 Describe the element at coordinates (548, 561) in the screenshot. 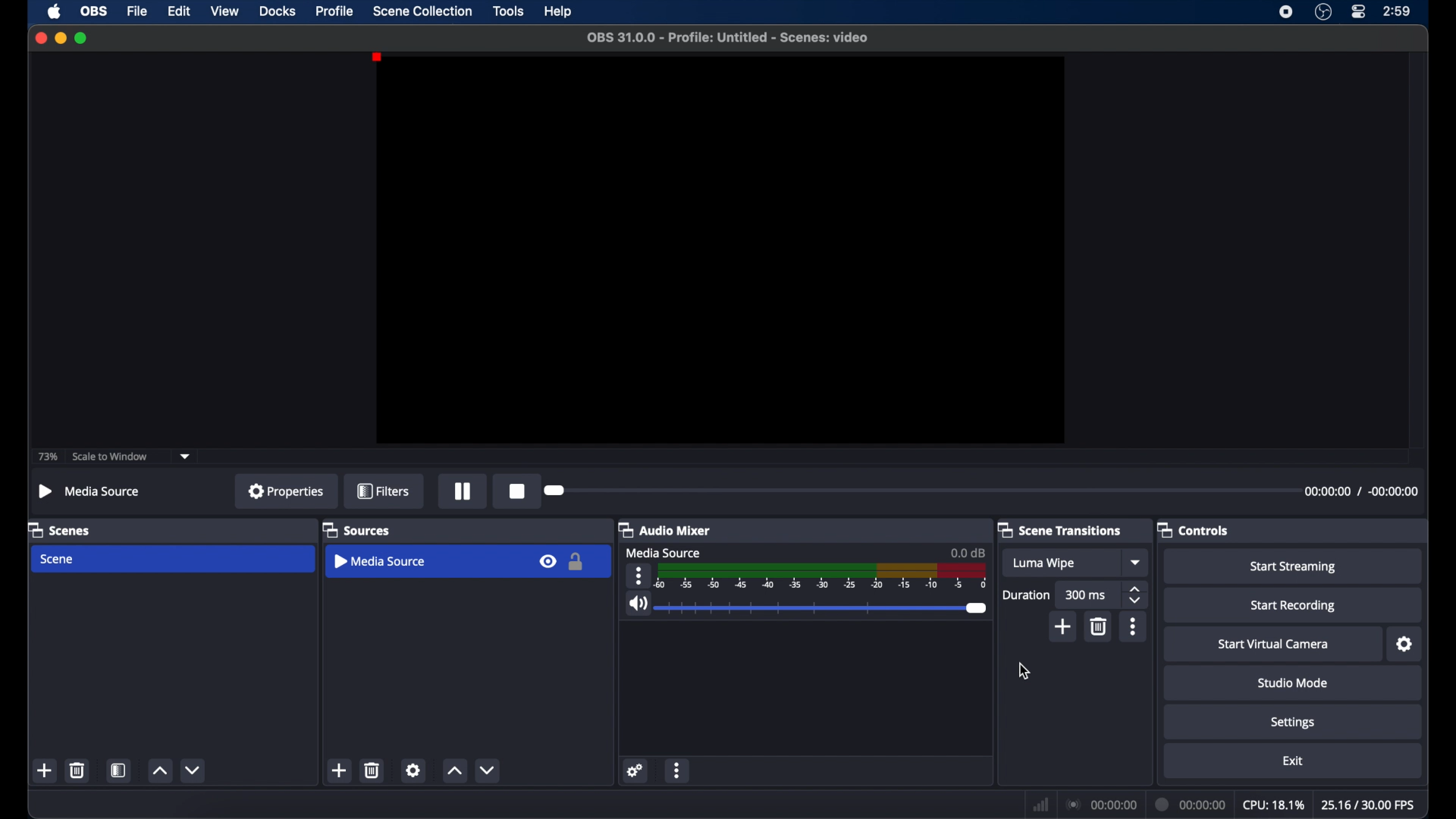

I see `visibility icon` at that location.